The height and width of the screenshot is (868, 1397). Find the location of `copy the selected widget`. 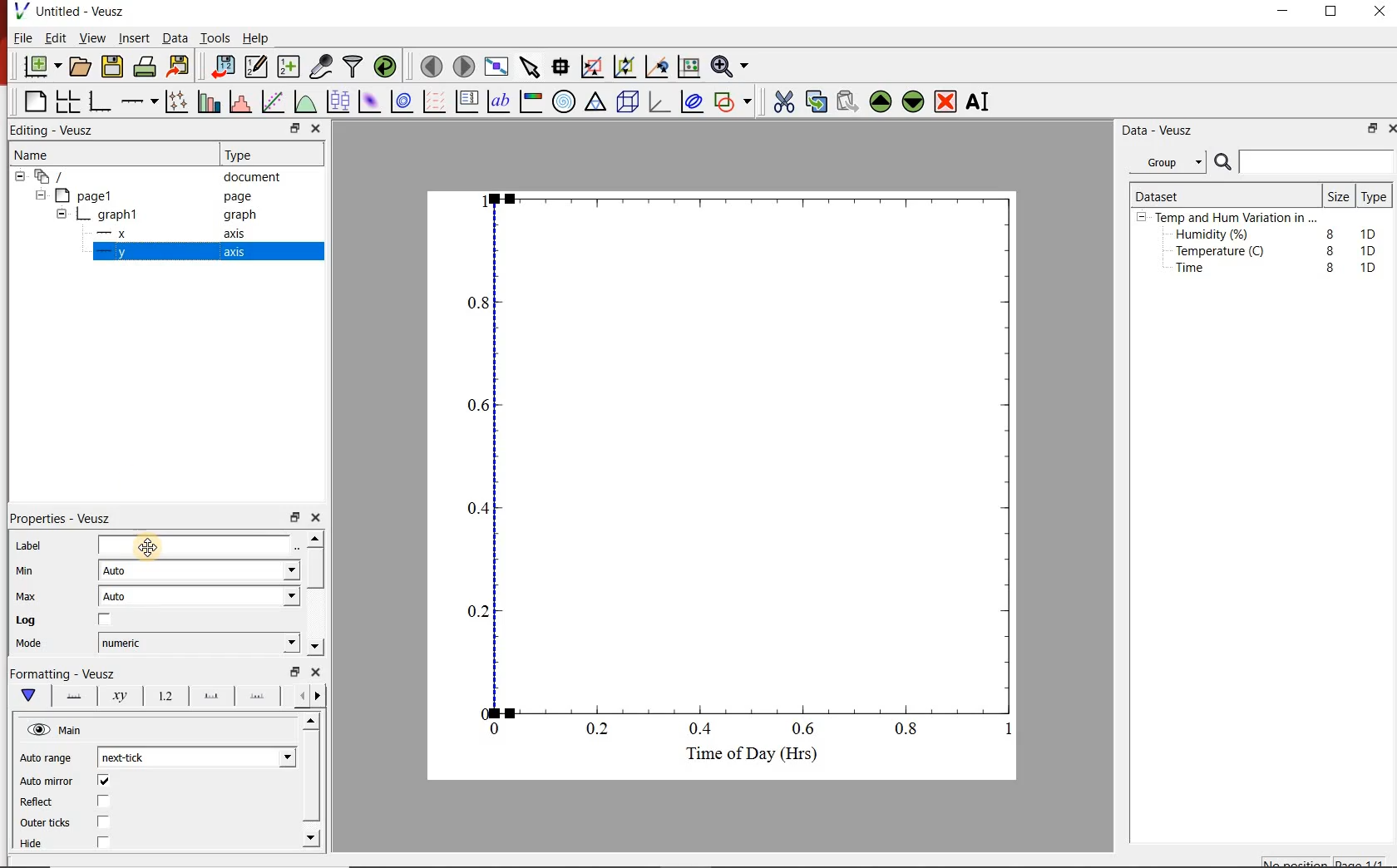

copy the selected widget is located at coordinates (816, 101).